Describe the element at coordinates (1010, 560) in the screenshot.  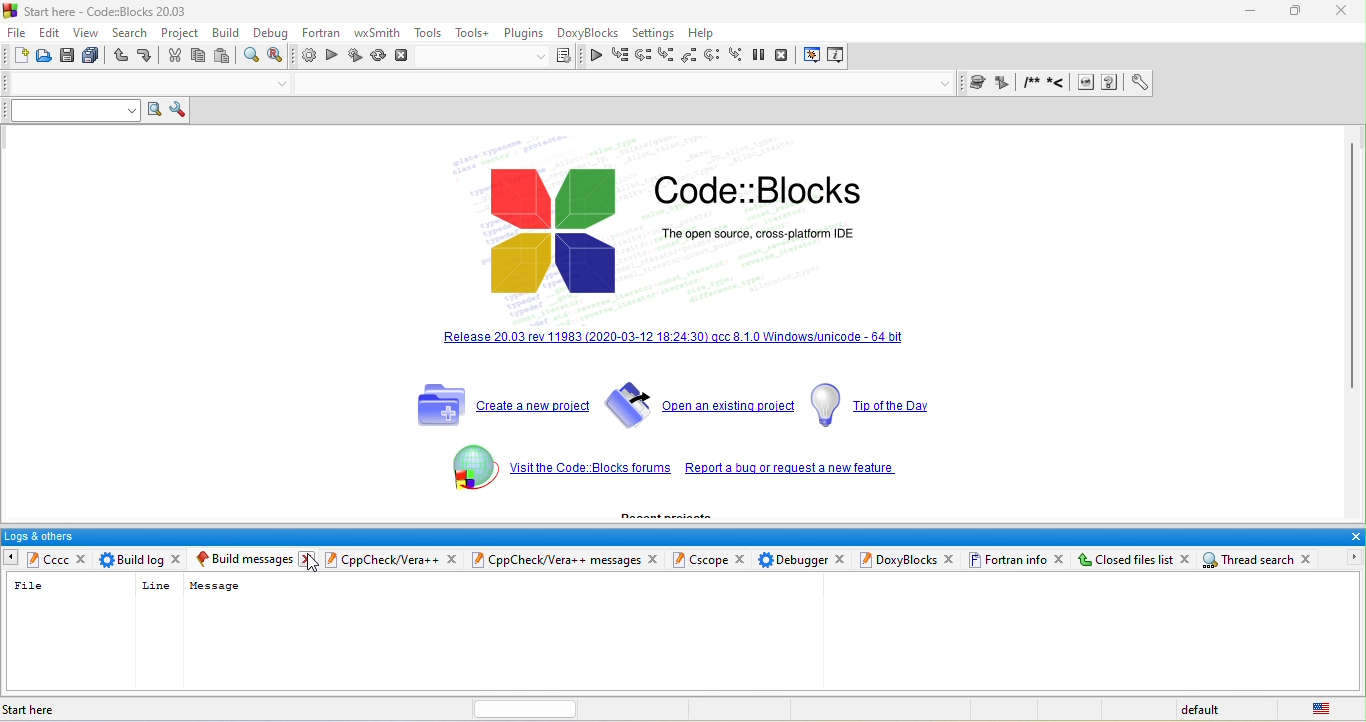
I see `fortran info` at that location.